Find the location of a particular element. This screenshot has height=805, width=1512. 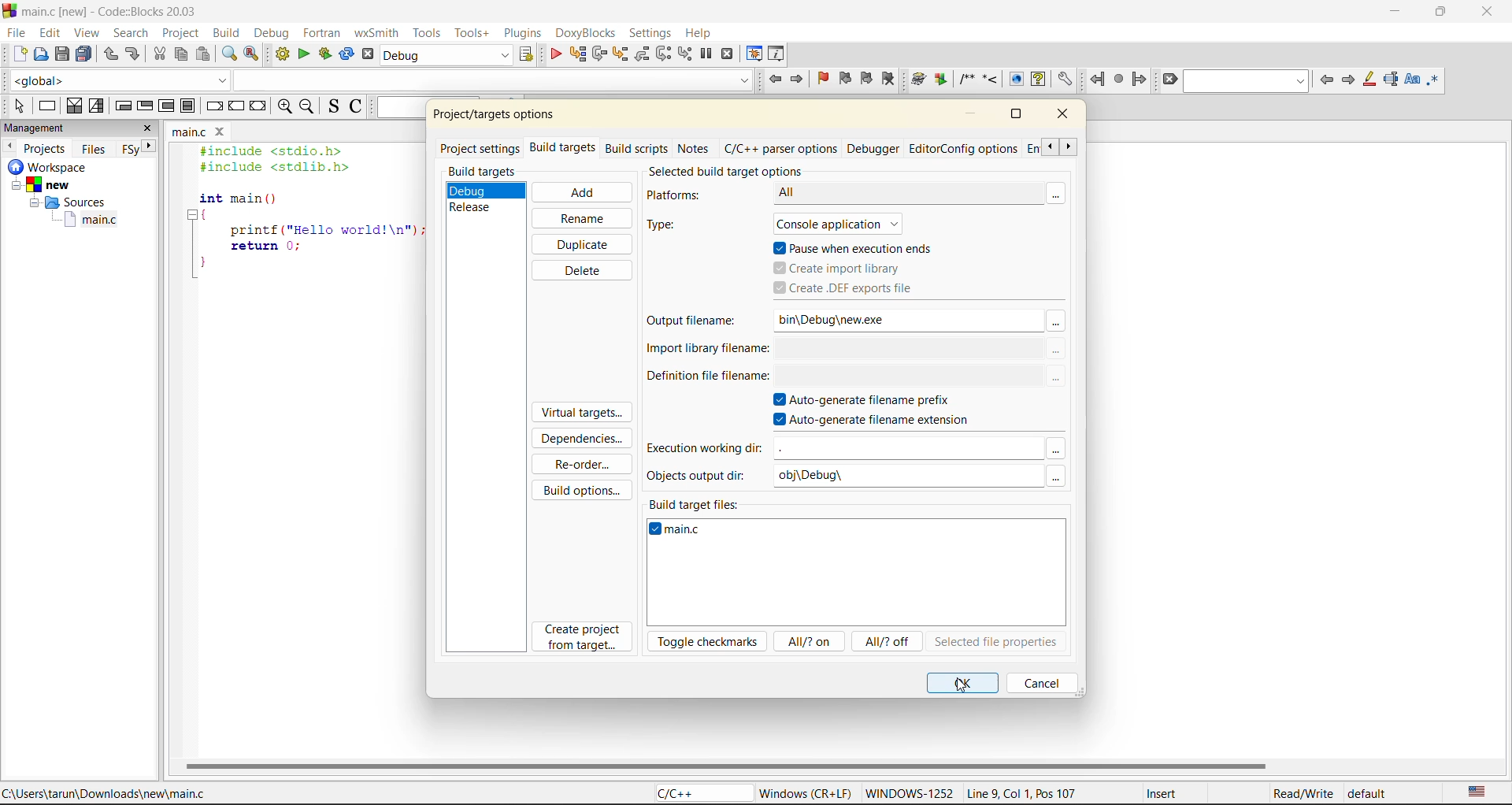

workspace is located at coordinates (51, 168).